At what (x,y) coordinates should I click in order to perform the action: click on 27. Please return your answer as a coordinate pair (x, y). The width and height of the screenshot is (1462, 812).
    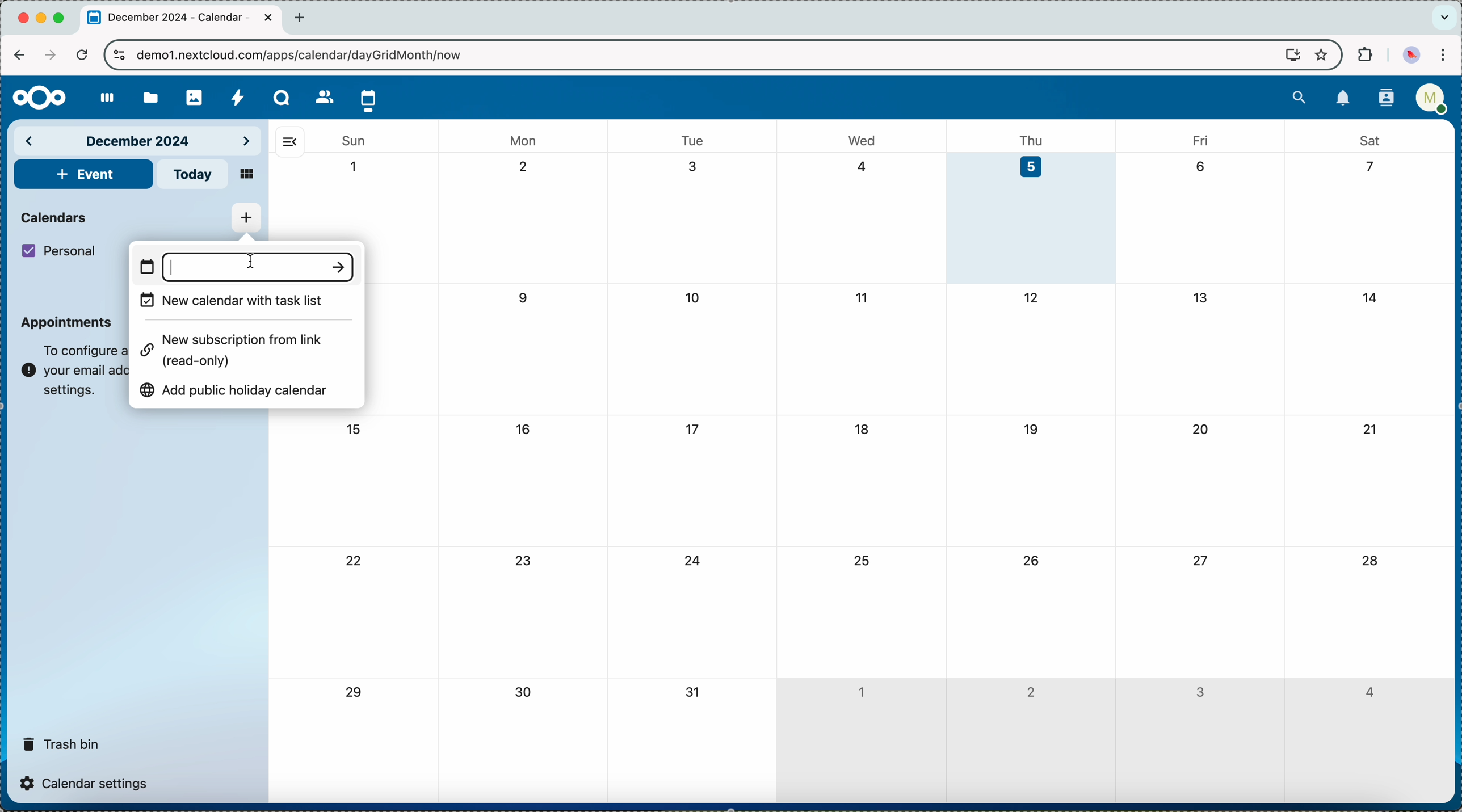
    Looking at the image, I should click on (1199, 559).